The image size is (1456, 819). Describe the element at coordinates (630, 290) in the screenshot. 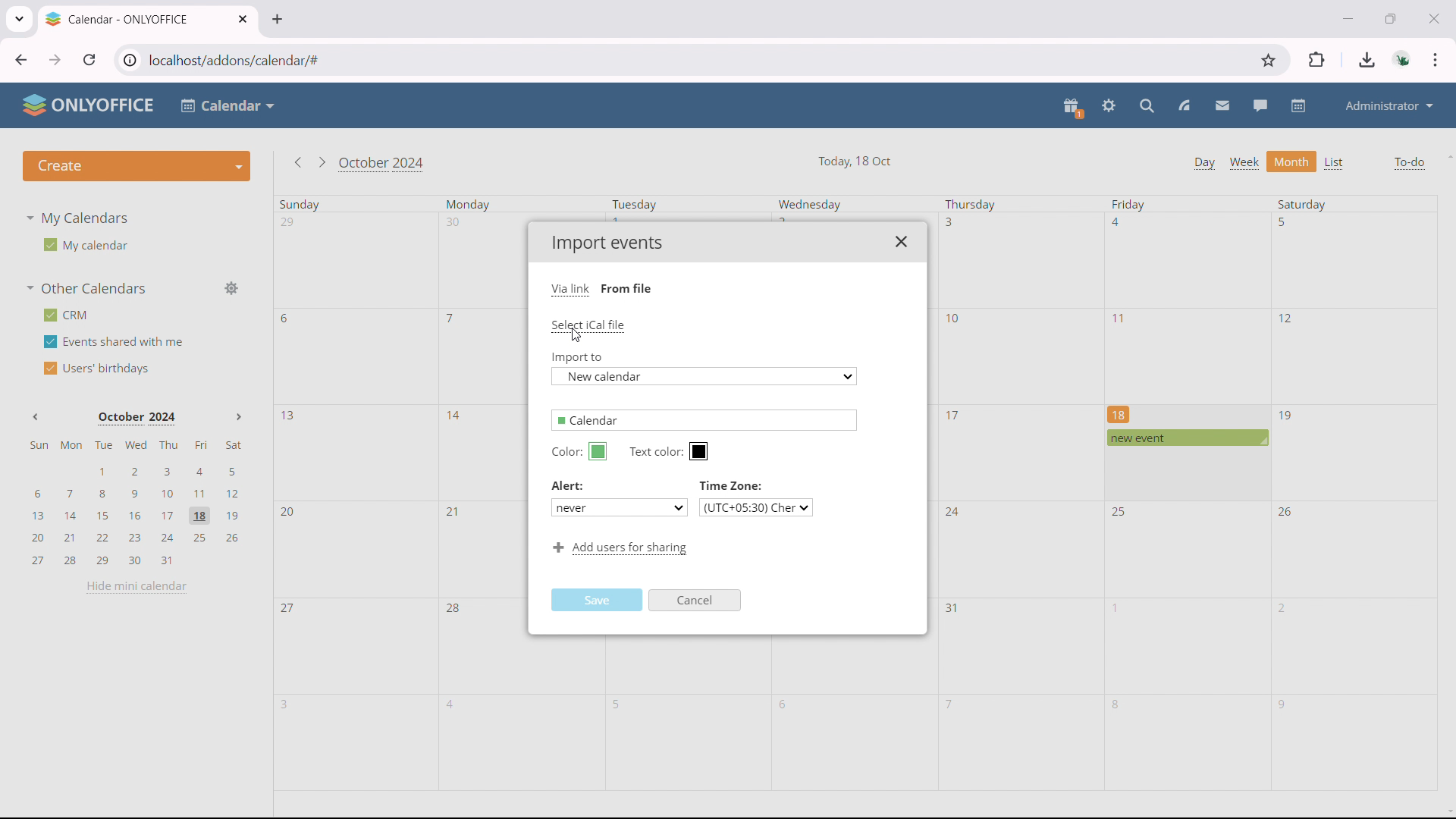

I see `From file` at that location.